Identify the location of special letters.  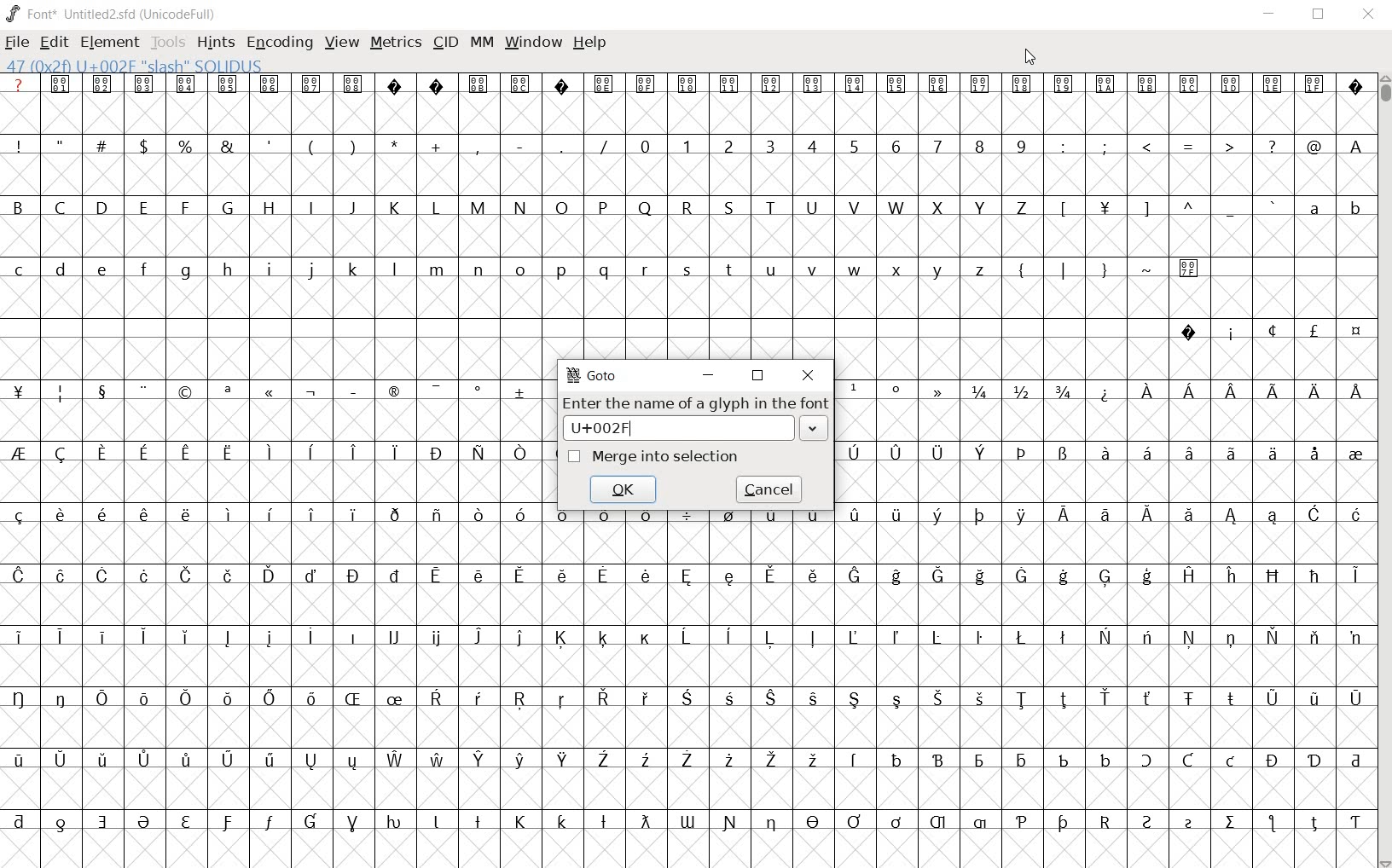
(684, 760).